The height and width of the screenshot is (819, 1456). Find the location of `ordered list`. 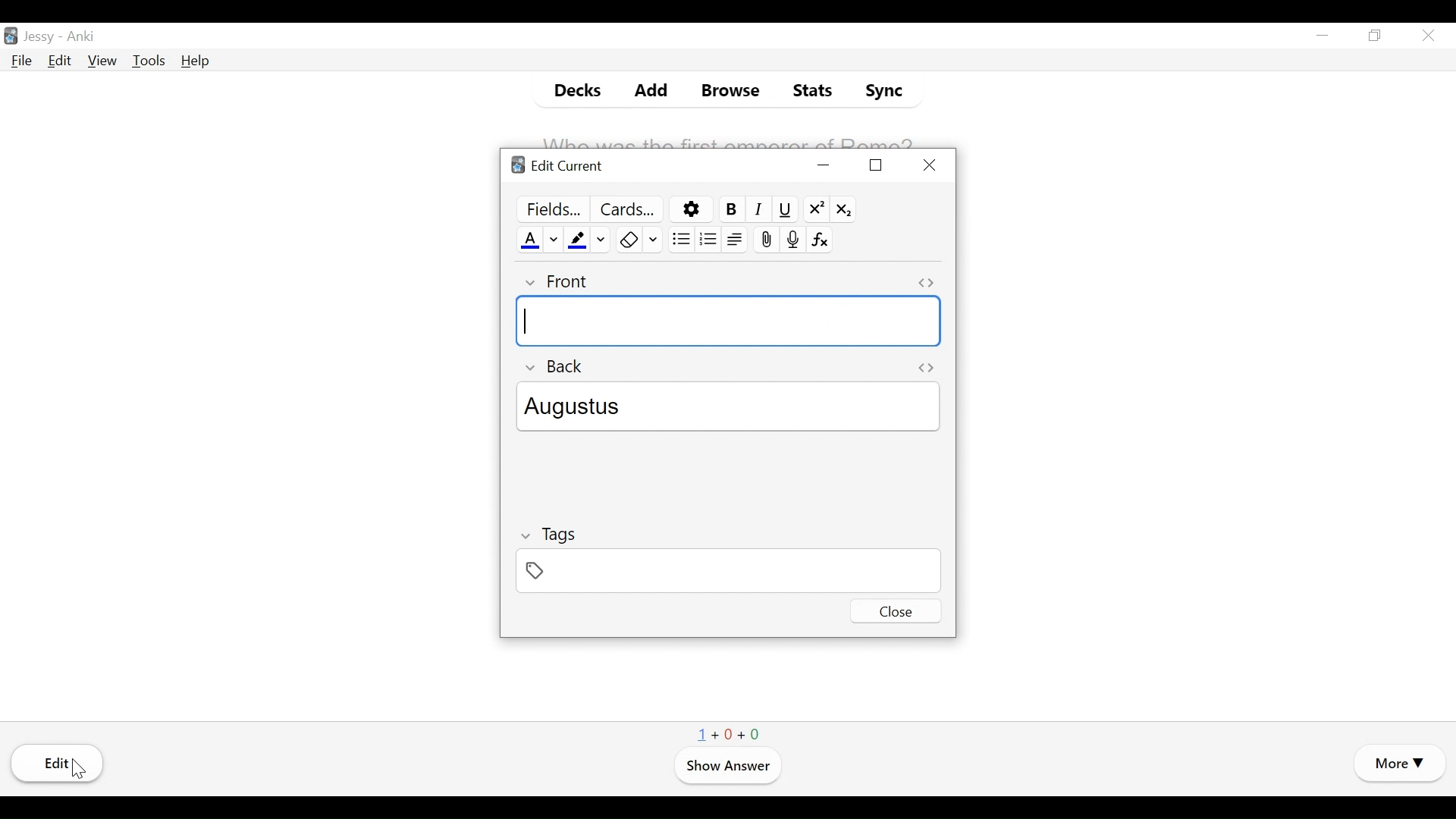

ordered list is located at coordinates (708, 238).